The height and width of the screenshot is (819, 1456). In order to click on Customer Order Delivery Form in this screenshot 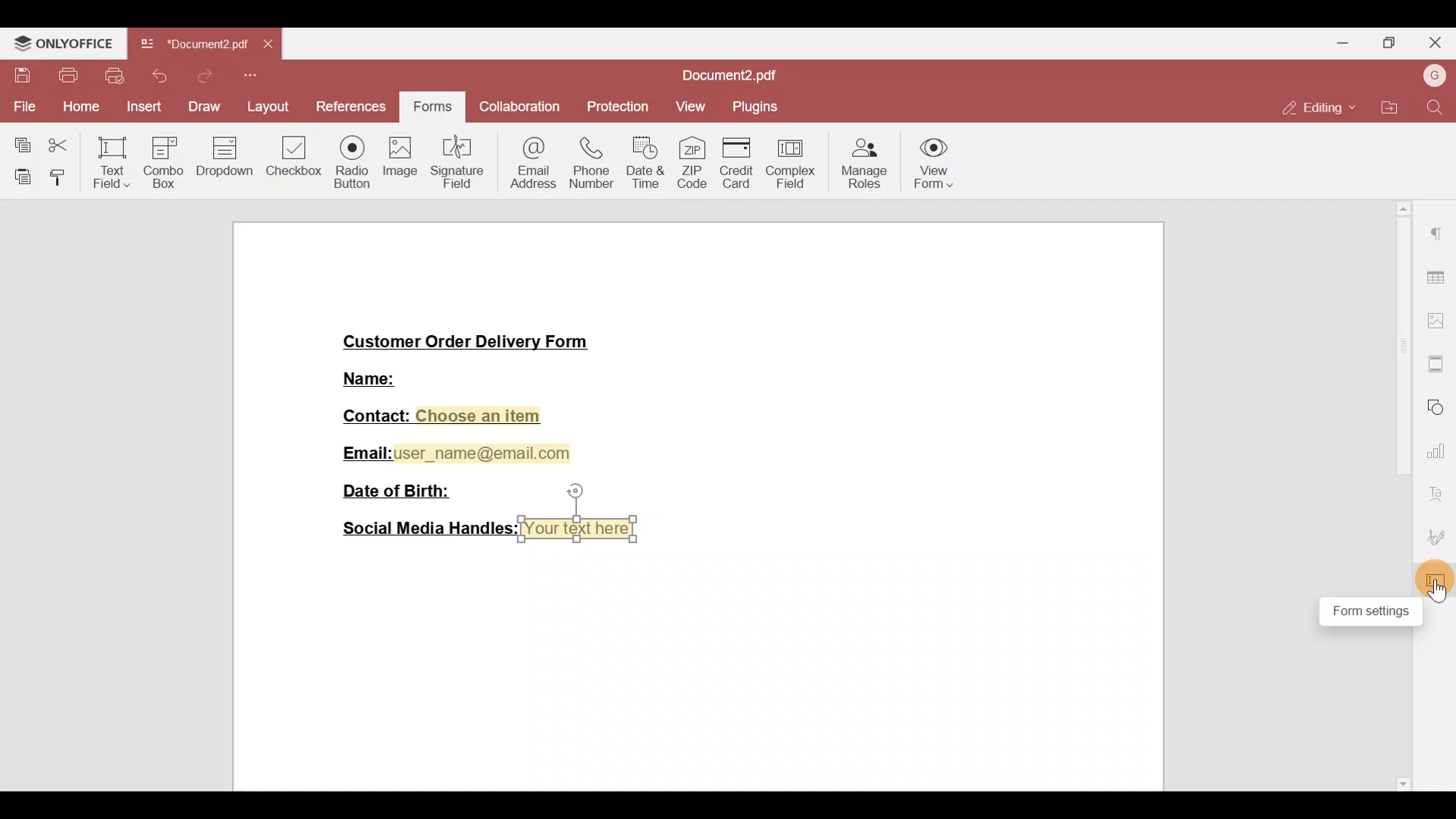, I will do `click(464, 337)`.